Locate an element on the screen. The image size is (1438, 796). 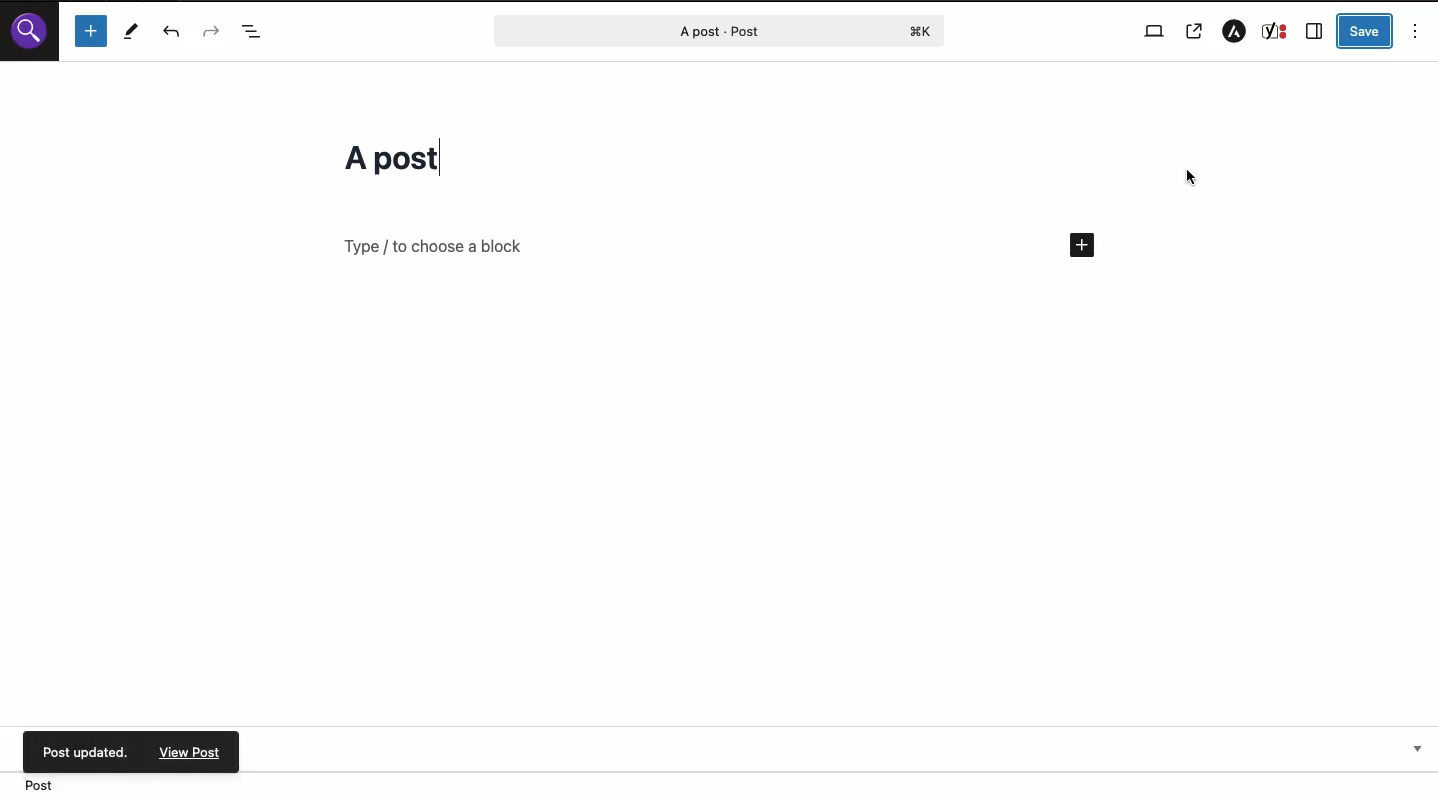
Add block is located at coordinates (90, 31).